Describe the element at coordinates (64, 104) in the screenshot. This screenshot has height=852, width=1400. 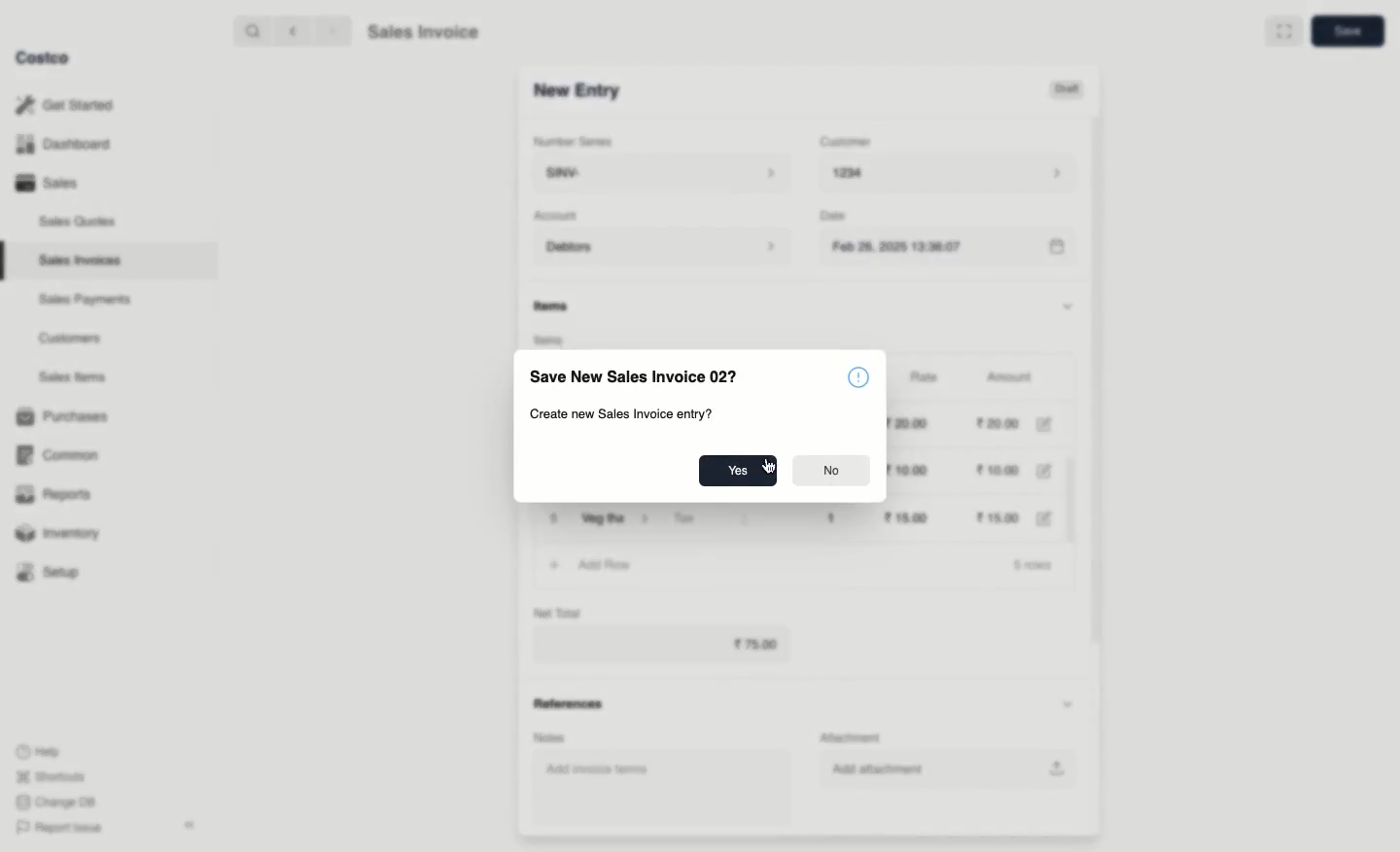
I see `Get Started` at that location.